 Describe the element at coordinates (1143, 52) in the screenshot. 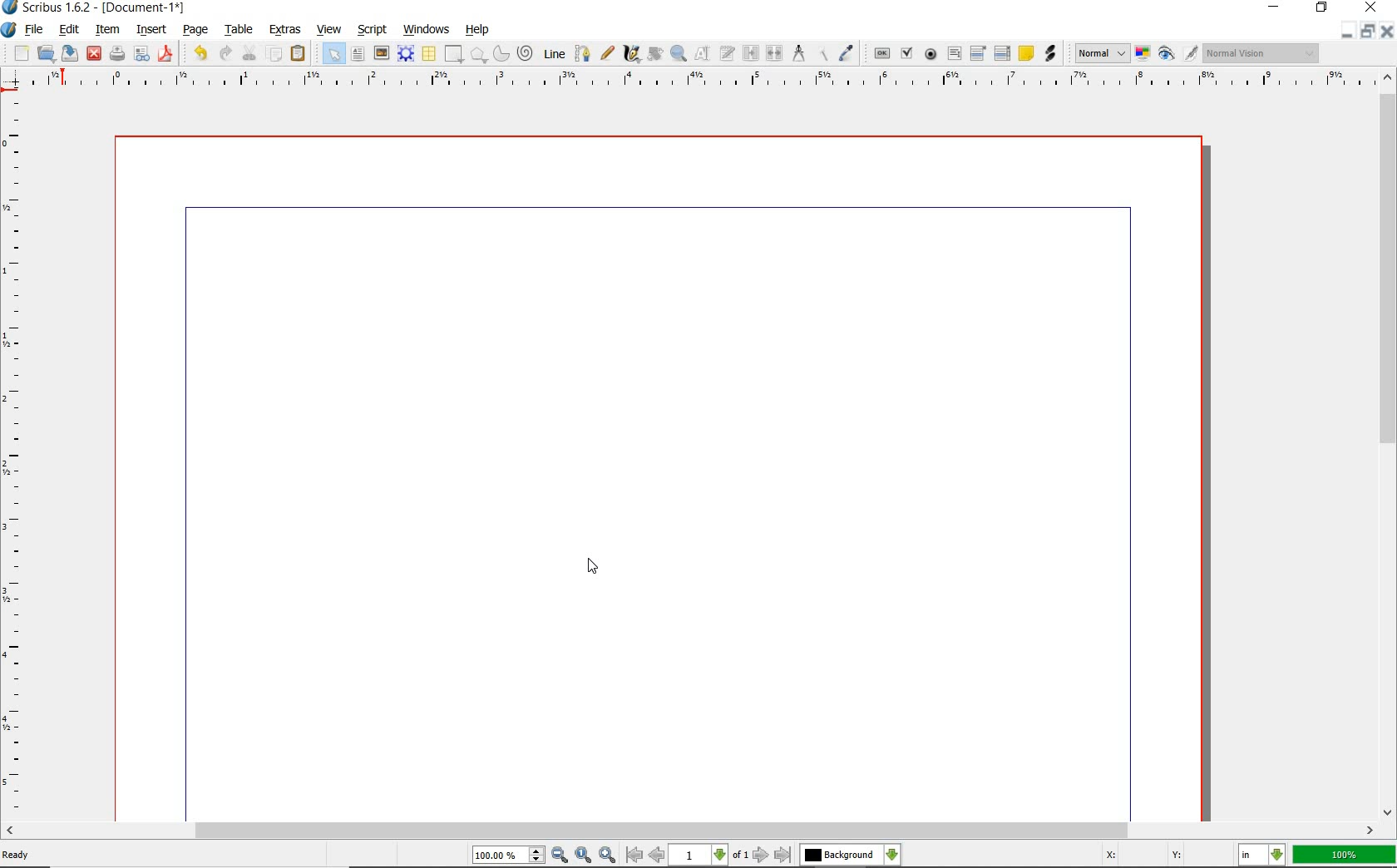

I see `toggle color management` at that location.